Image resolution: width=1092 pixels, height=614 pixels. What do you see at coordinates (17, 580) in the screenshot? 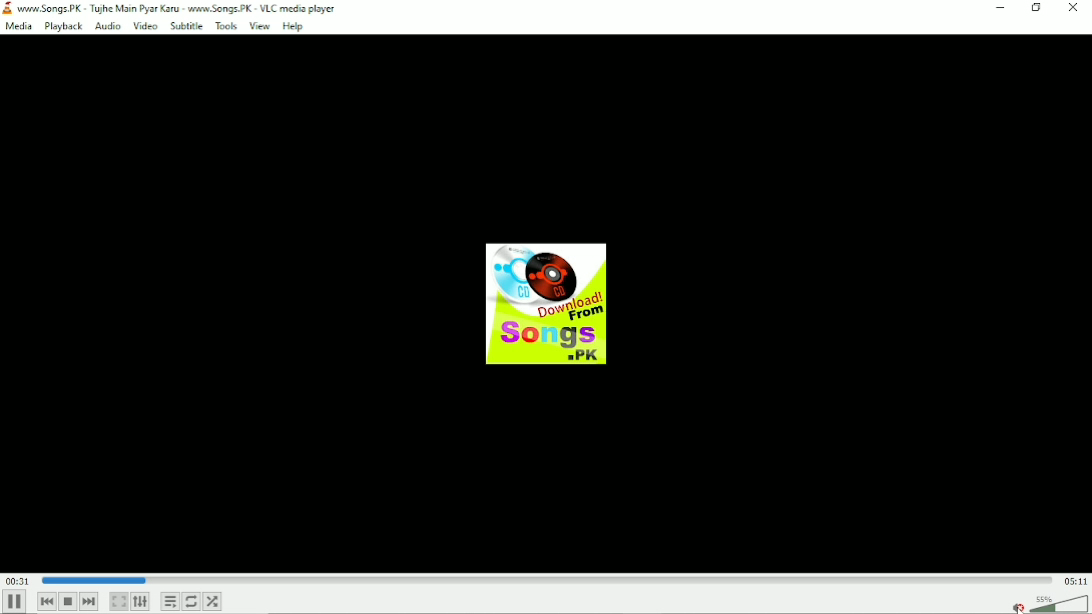
I see `Elapsed time` at bounding box center [17, 580].